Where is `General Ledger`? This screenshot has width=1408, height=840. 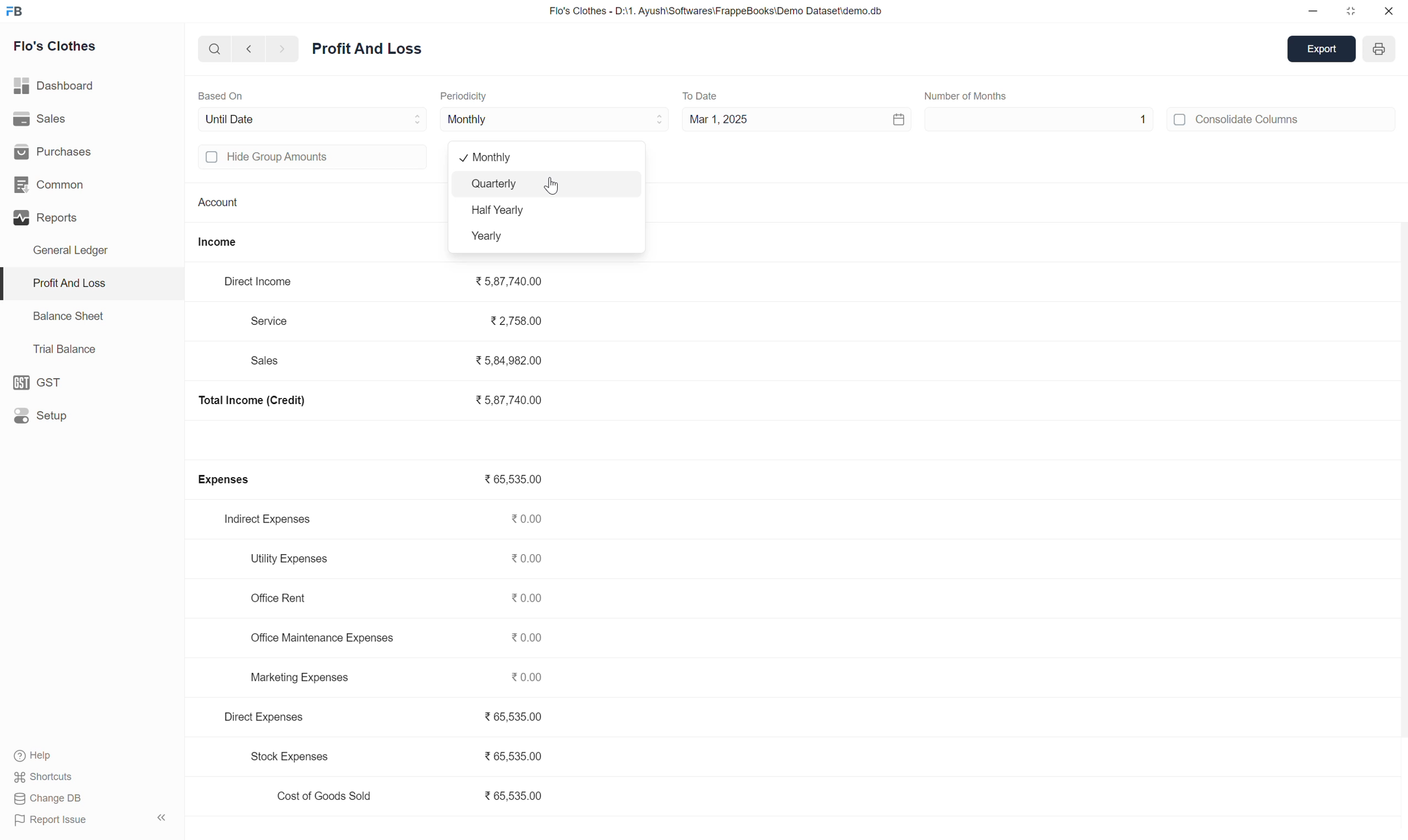 General Ledger is located at coordinates (82, 254).